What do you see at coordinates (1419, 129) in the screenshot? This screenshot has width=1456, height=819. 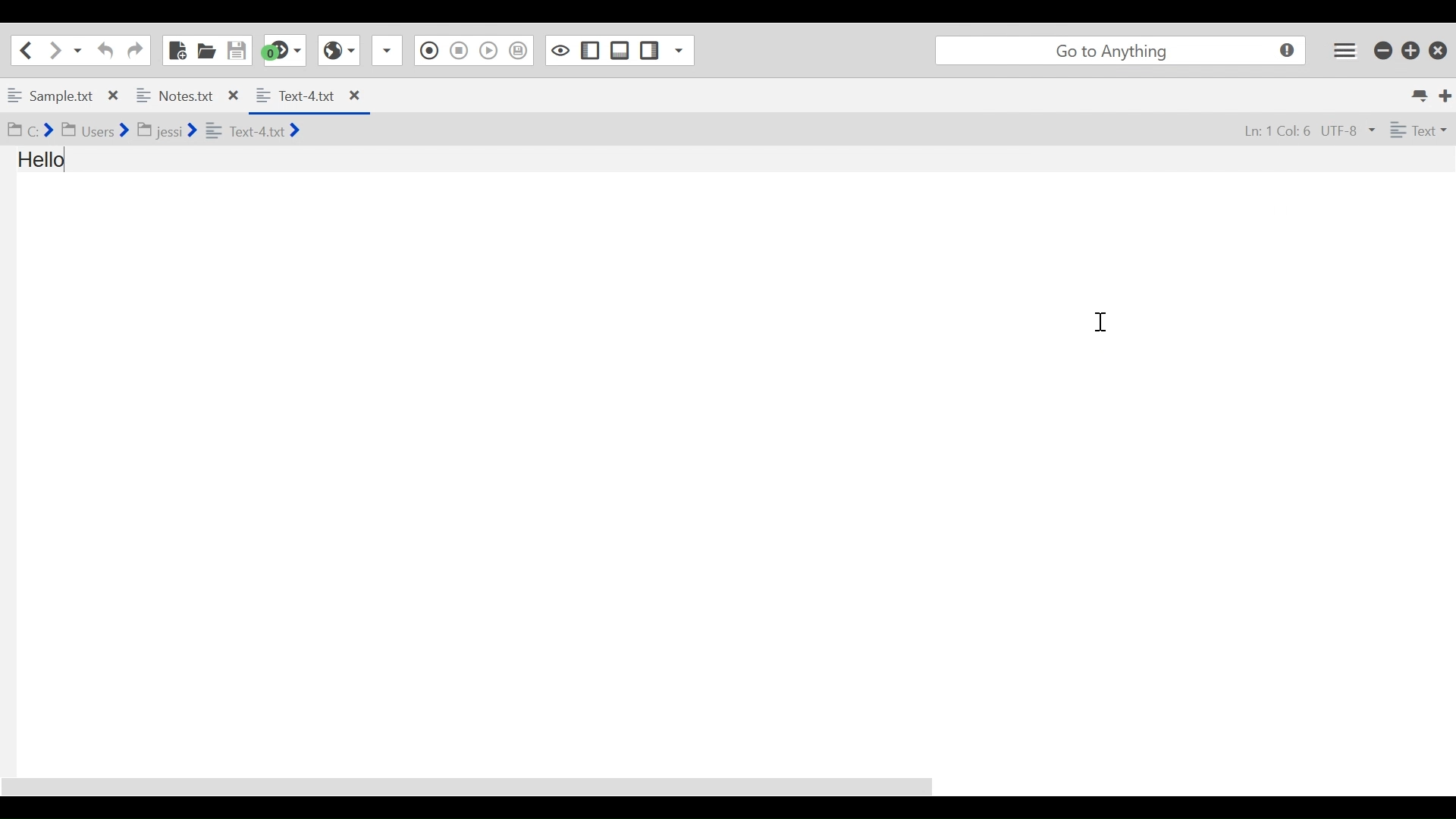 I see `File Type` at bounding box center [1419, 129].